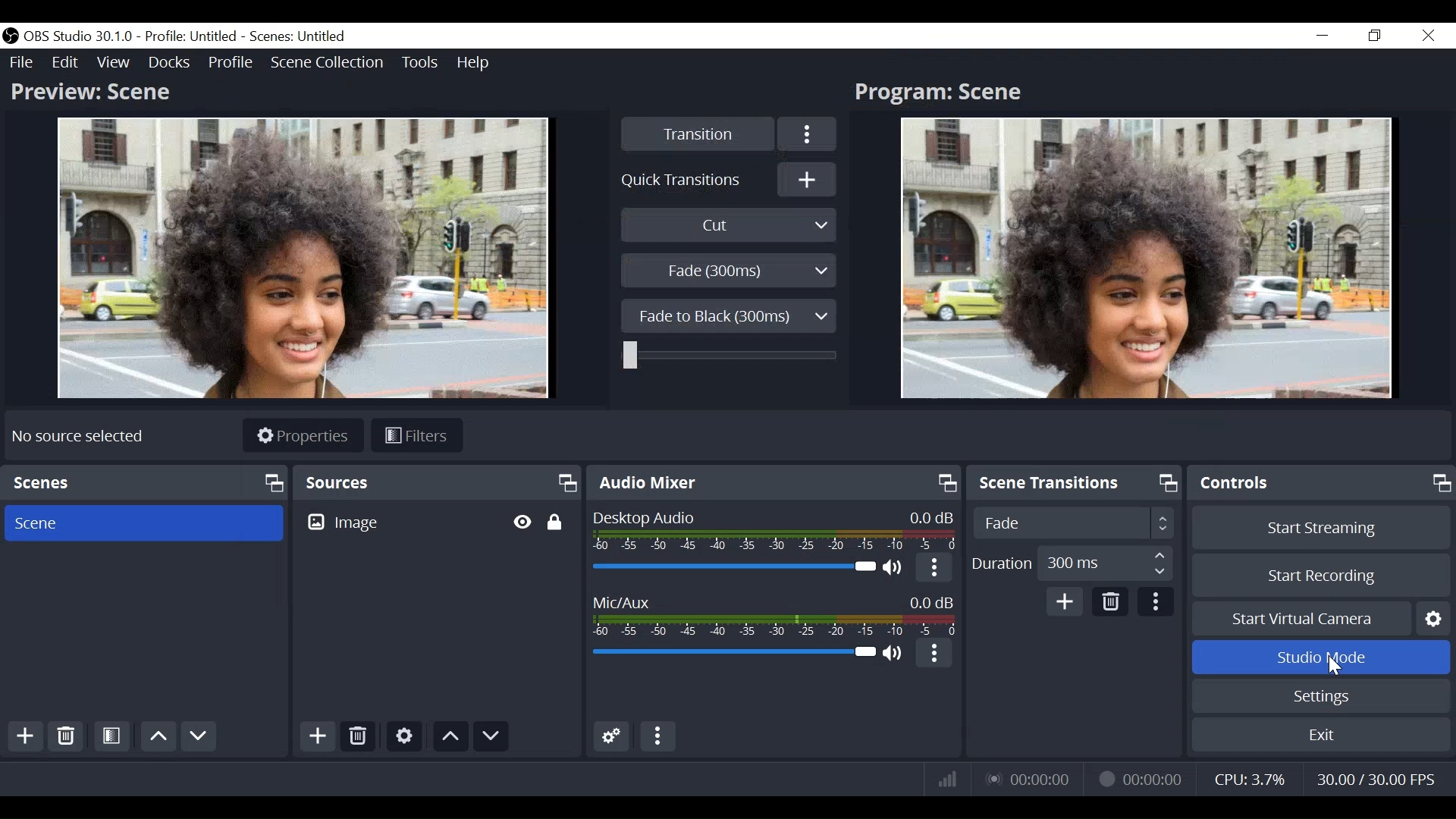  I want to click on Move Scene Down, so click(202, 739).